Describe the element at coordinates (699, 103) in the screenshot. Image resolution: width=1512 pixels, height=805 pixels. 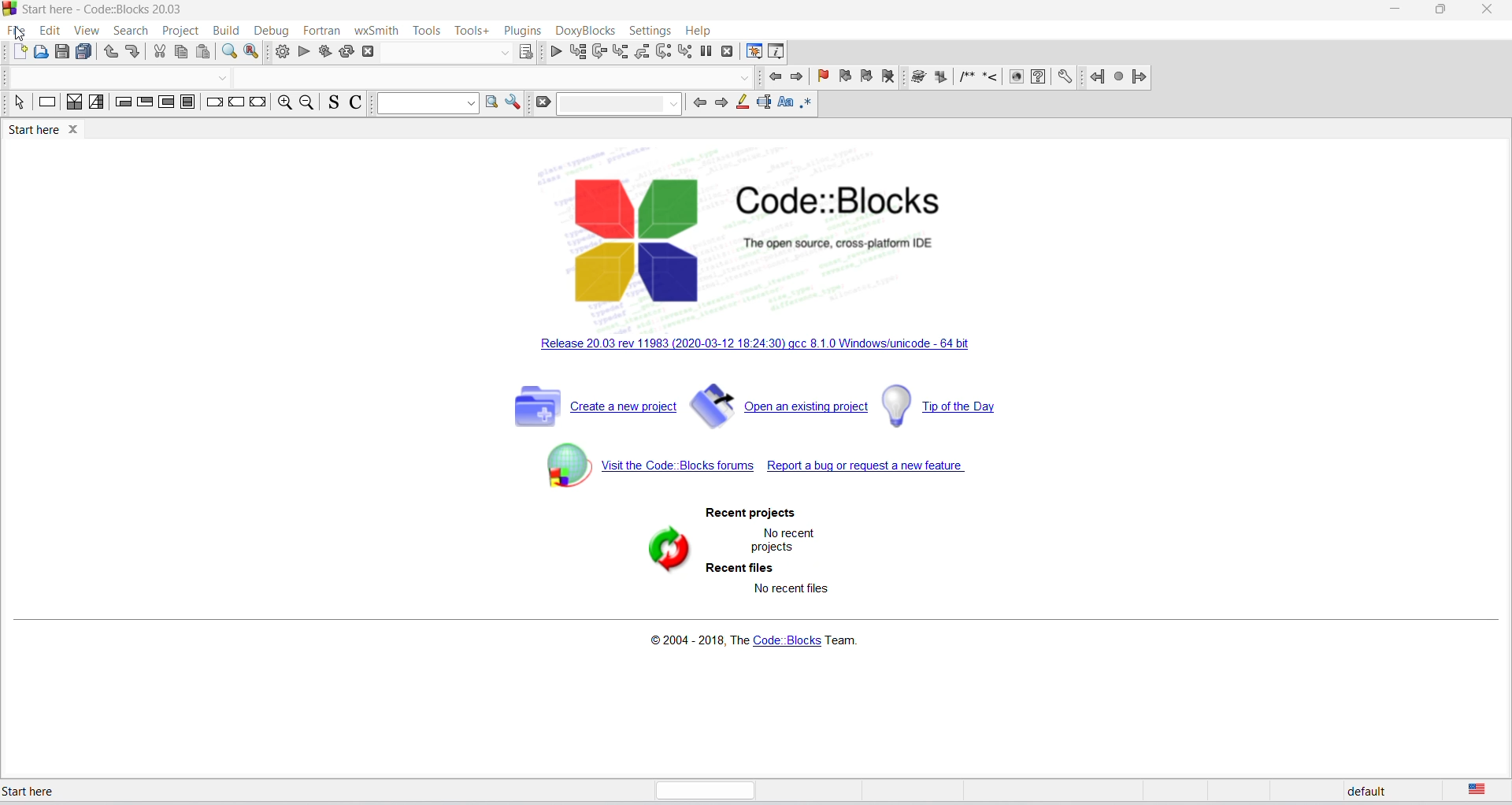
I see `previous` at that location.